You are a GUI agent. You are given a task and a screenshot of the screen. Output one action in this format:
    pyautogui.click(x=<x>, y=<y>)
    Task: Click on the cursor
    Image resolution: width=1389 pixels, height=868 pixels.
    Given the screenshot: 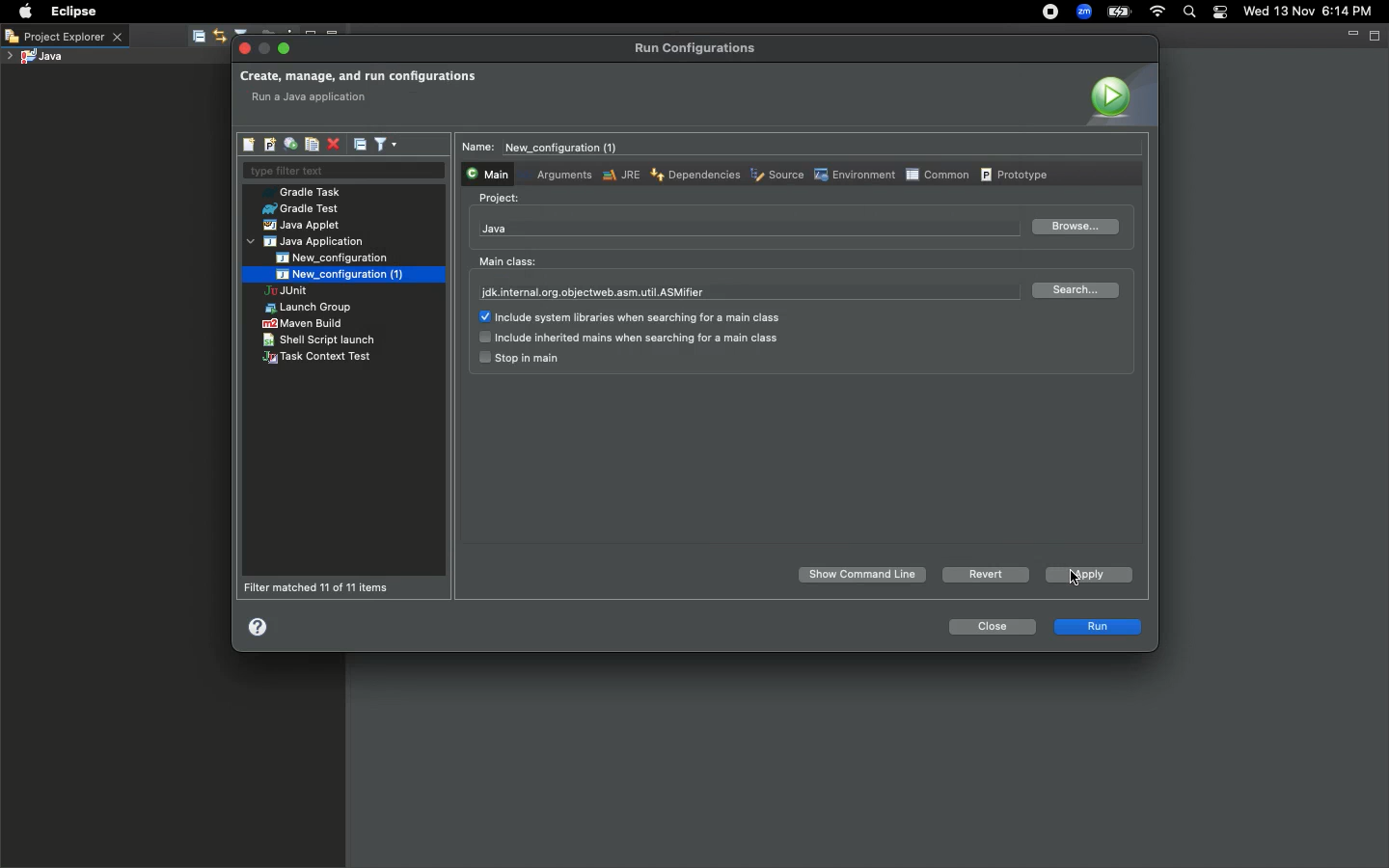 What is the action you would take?
    pyautogui.click(x=1079, y=581)
    